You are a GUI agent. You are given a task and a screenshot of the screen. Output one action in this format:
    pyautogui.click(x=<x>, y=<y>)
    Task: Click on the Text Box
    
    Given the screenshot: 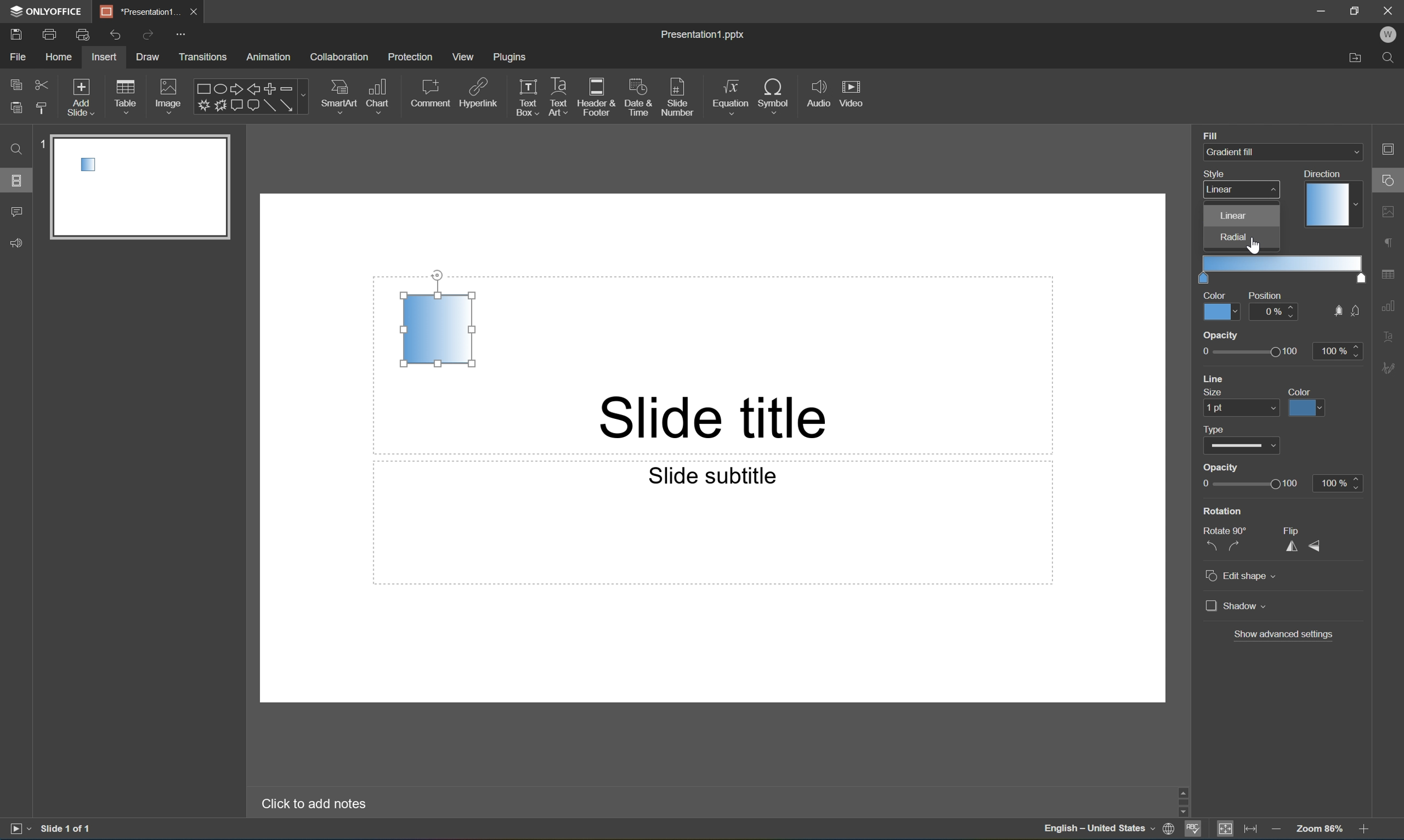 What is the action you would take?
    pyautogui.click(x=528, y=98)
    